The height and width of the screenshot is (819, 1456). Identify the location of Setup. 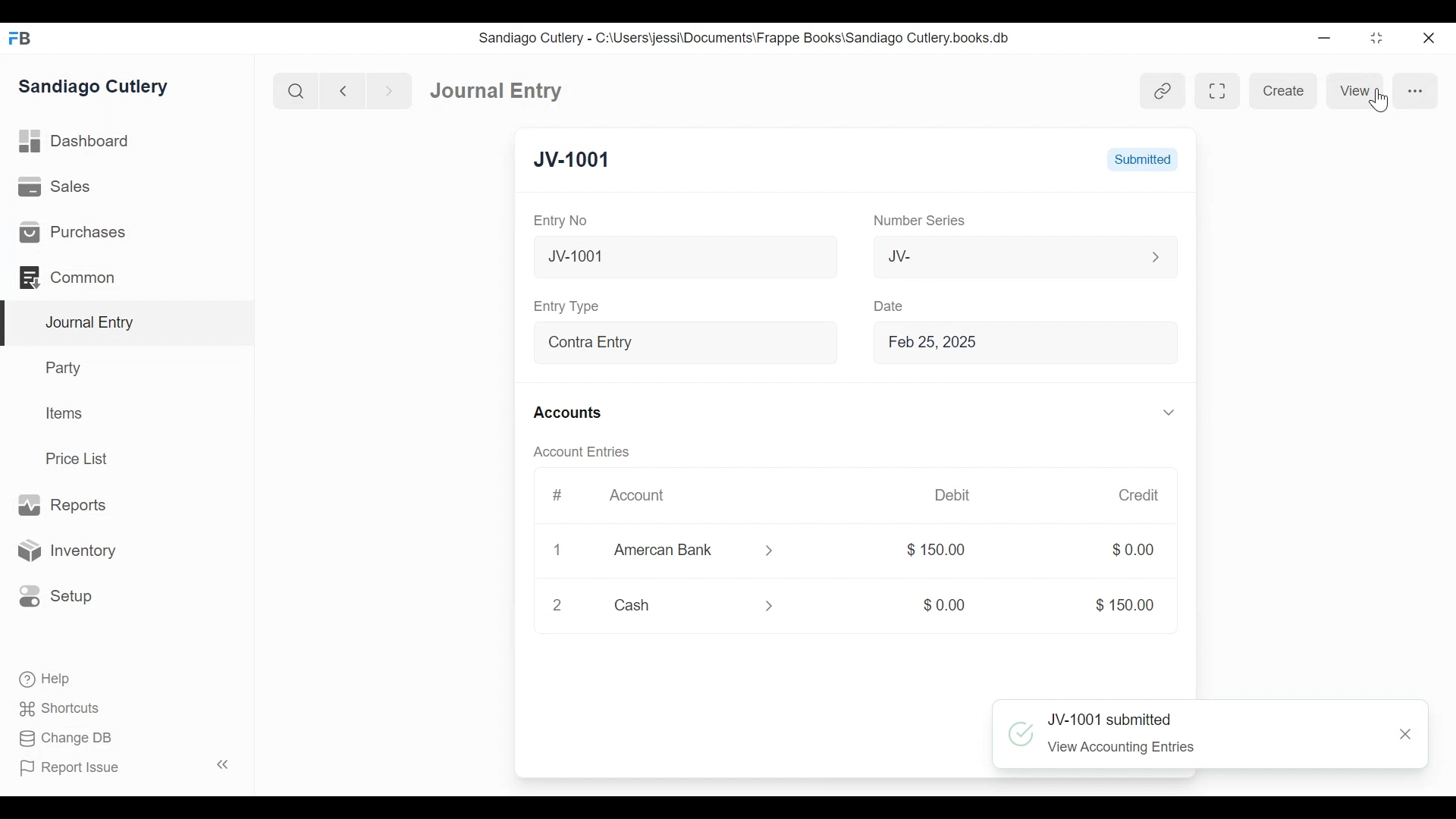
(52, 595).